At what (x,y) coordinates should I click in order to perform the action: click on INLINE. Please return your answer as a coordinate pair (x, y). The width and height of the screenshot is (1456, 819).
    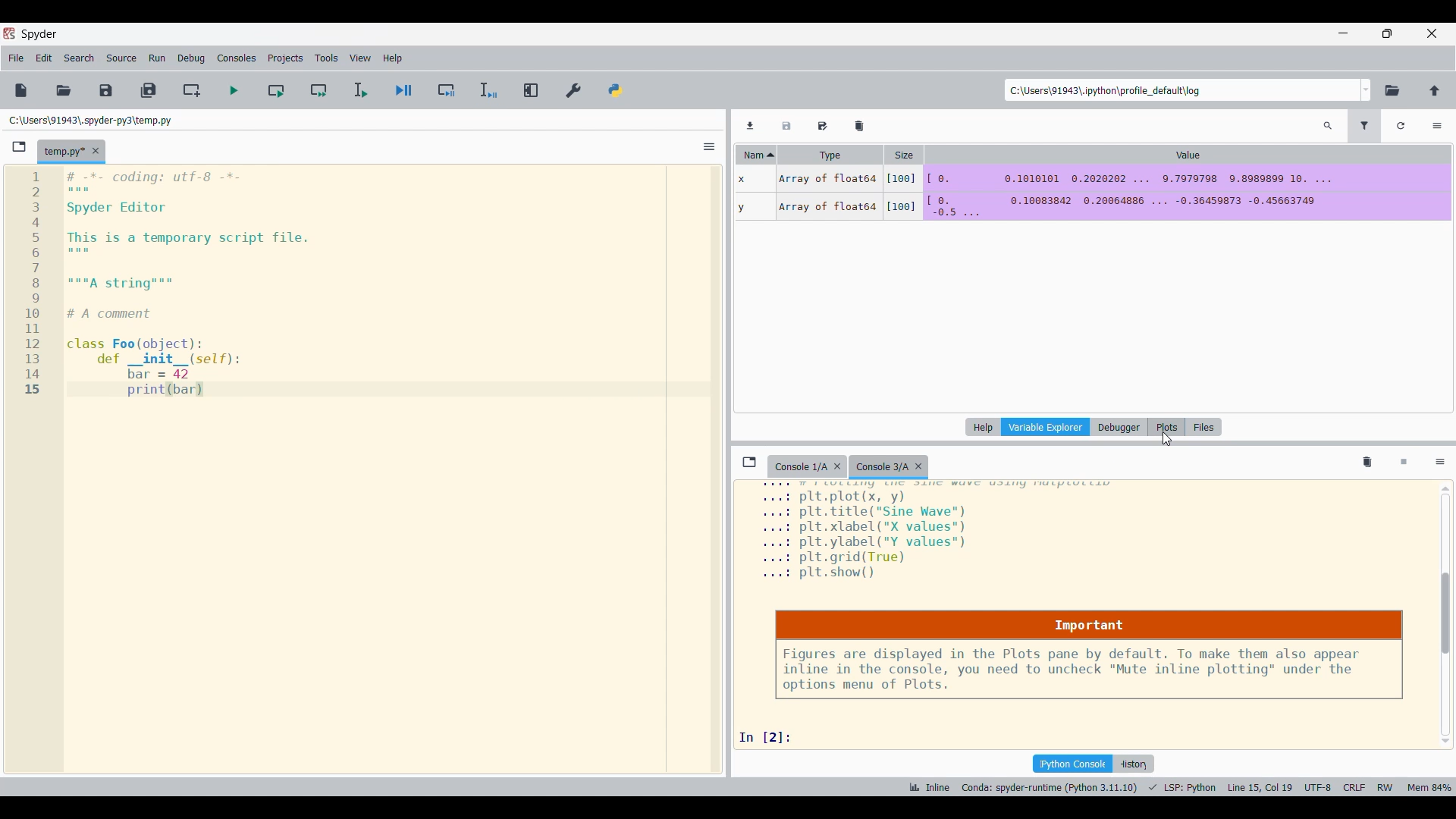
    Looking at the image, I should click on (927, 787).